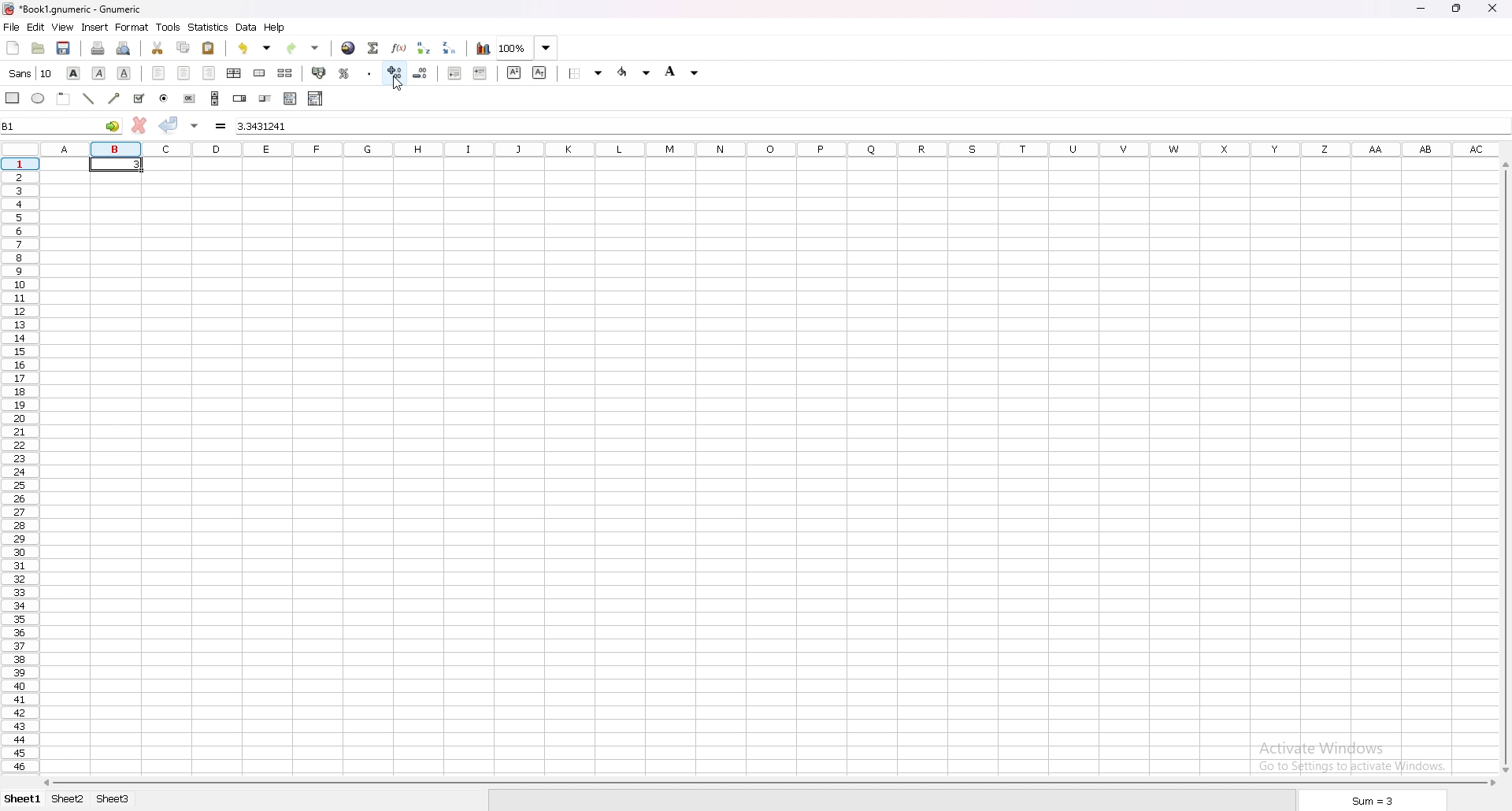  I want to click on left indent, so click(159, 73).